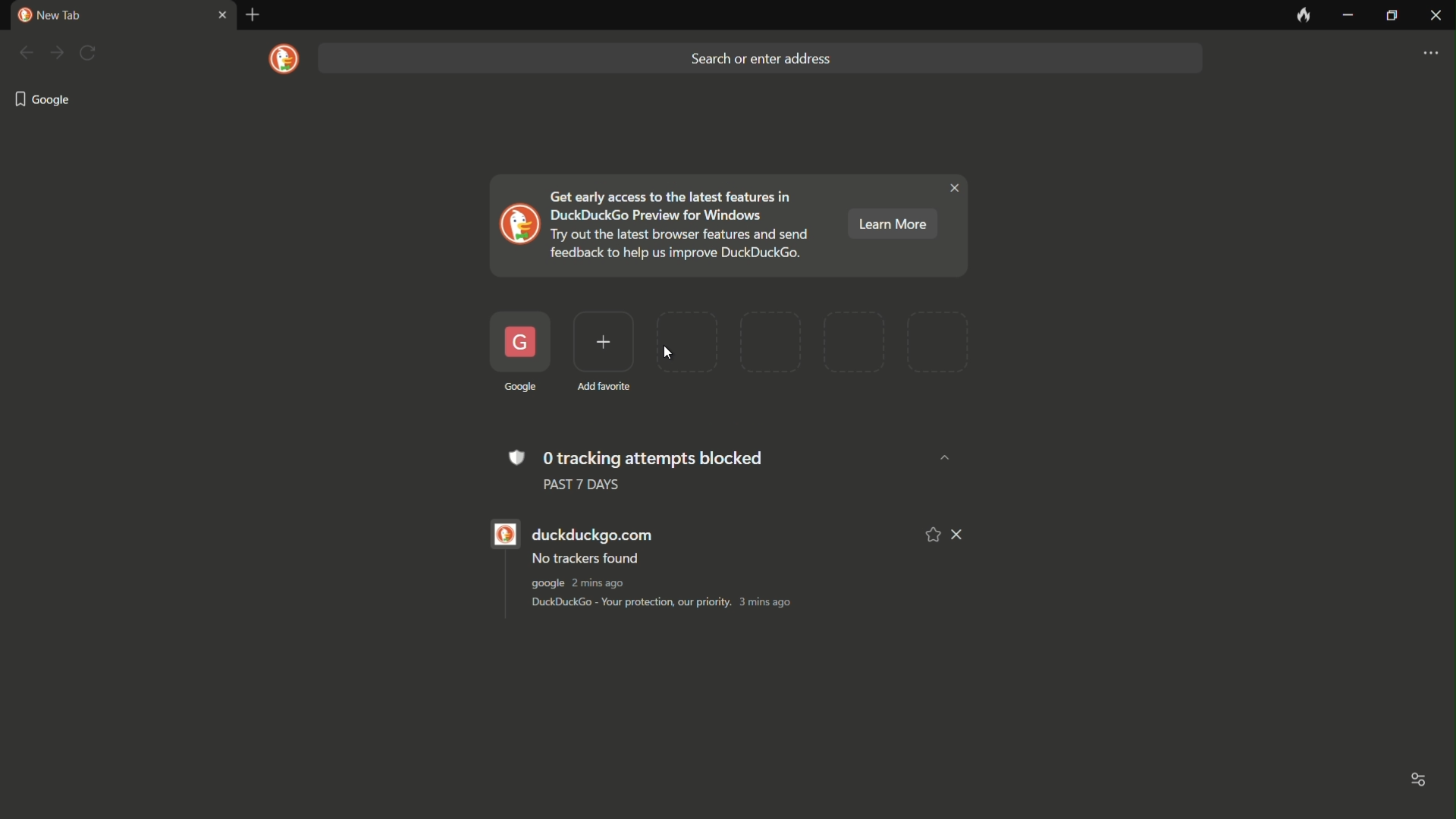 This screenshot has width=1456, height=819. Describe the element at coordinates (25, 53) in the screenshot. I see `back` at that location.